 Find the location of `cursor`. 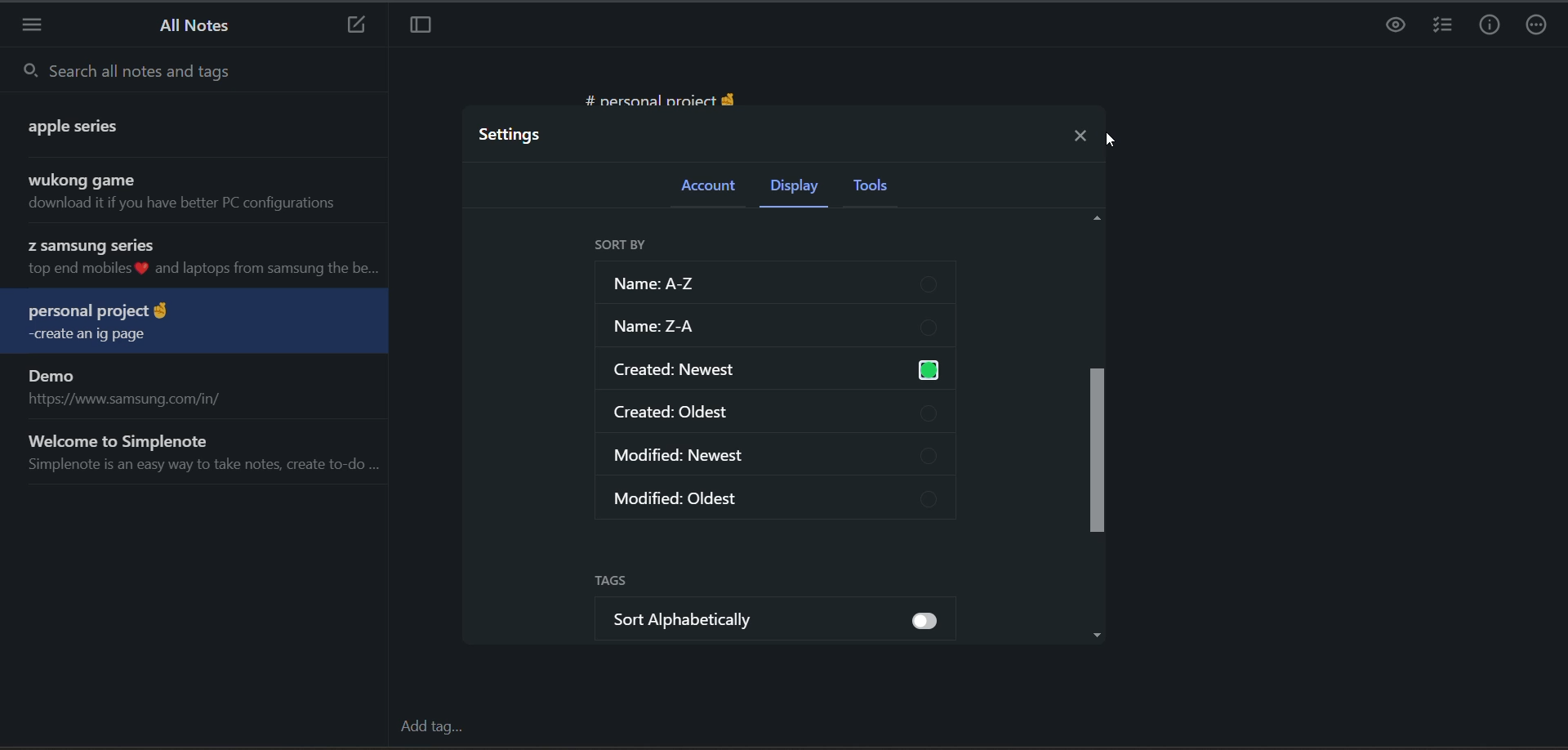

cursor is located at coordinates (1111, 143).